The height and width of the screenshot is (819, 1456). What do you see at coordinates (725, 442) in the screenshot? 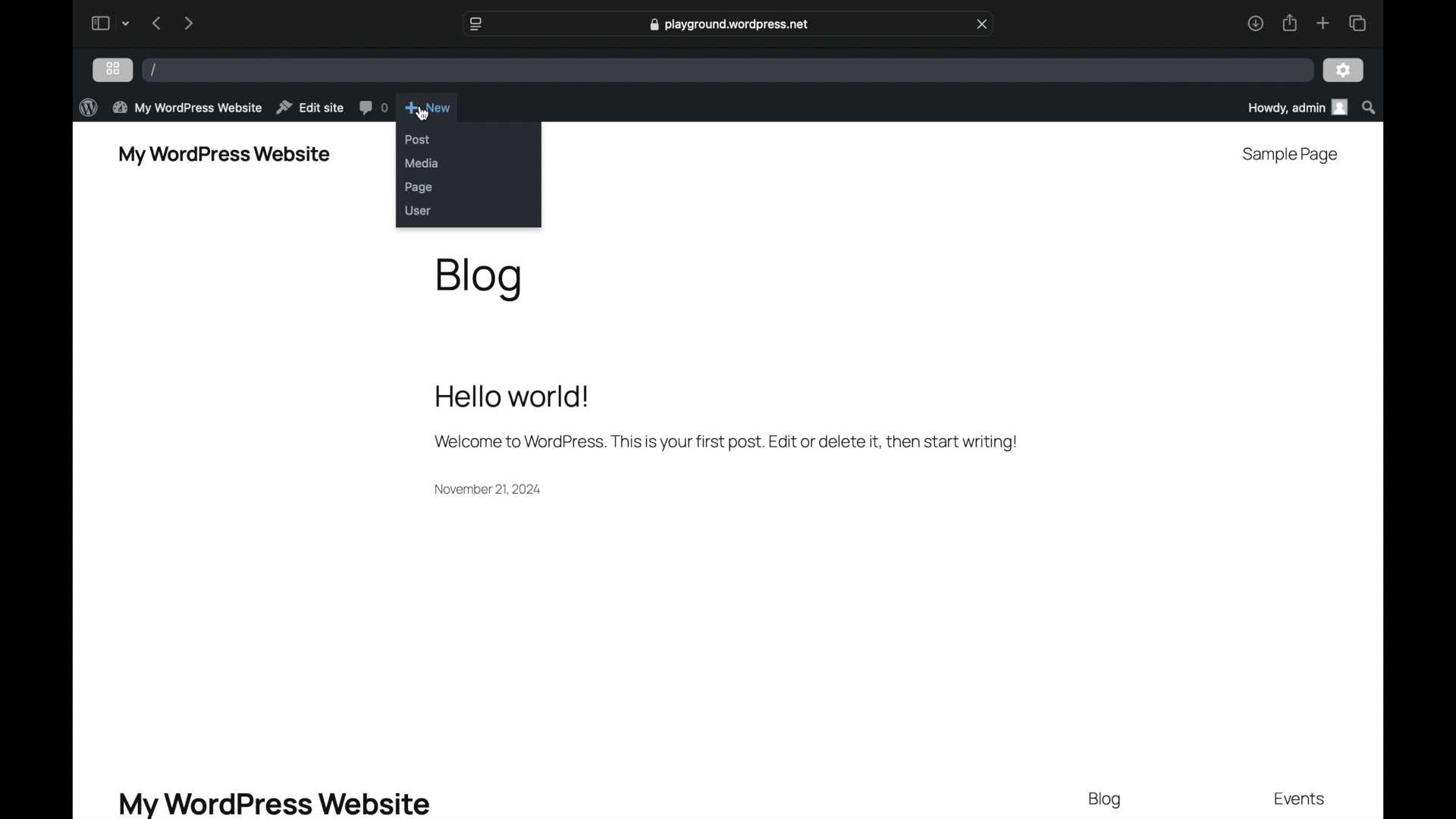
I see `welcome message` at bounding box center [725, 442].